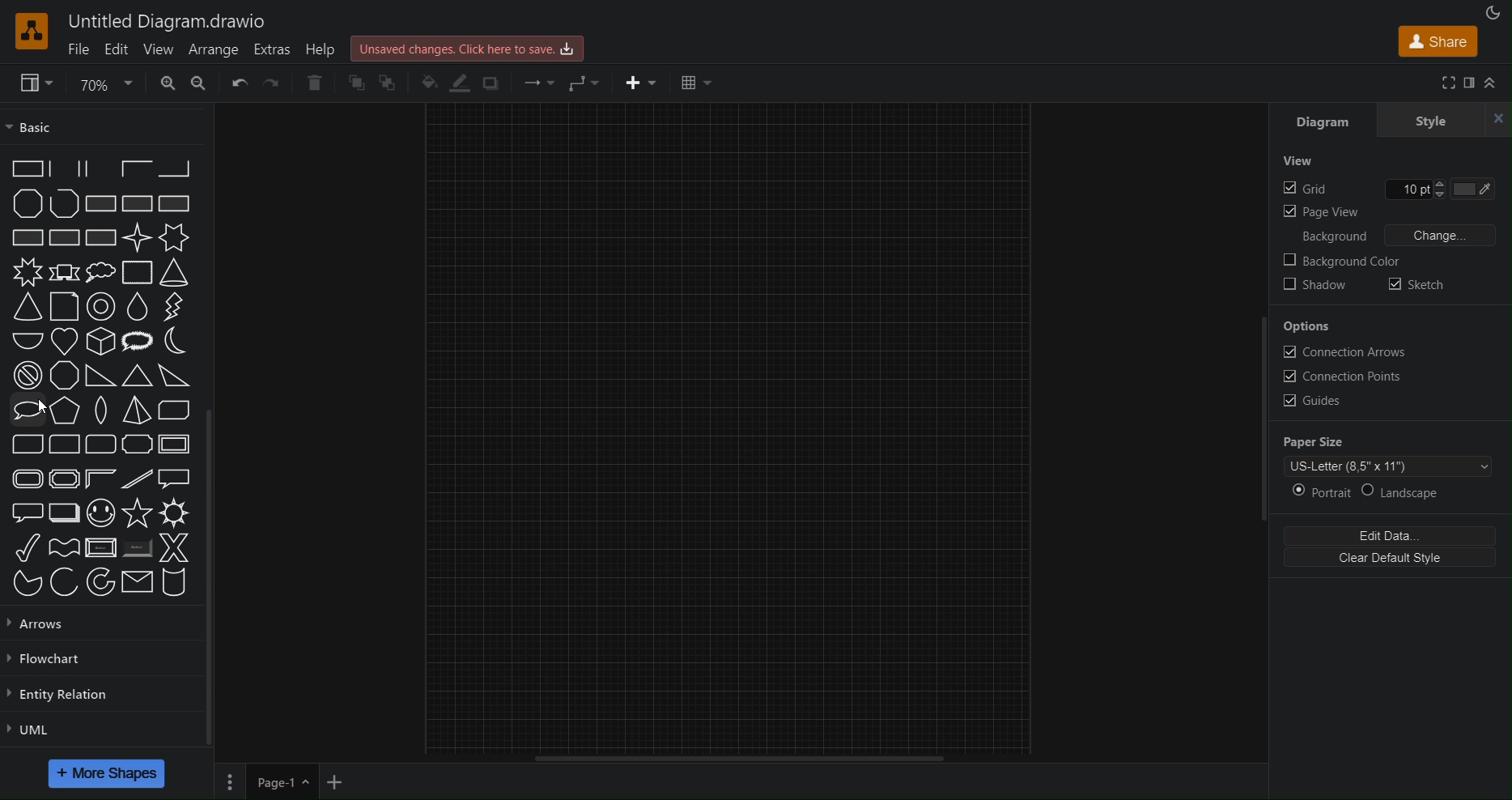 The image size is (1512, 800). I want to click on Partial Rectangle, so click(64, 168).